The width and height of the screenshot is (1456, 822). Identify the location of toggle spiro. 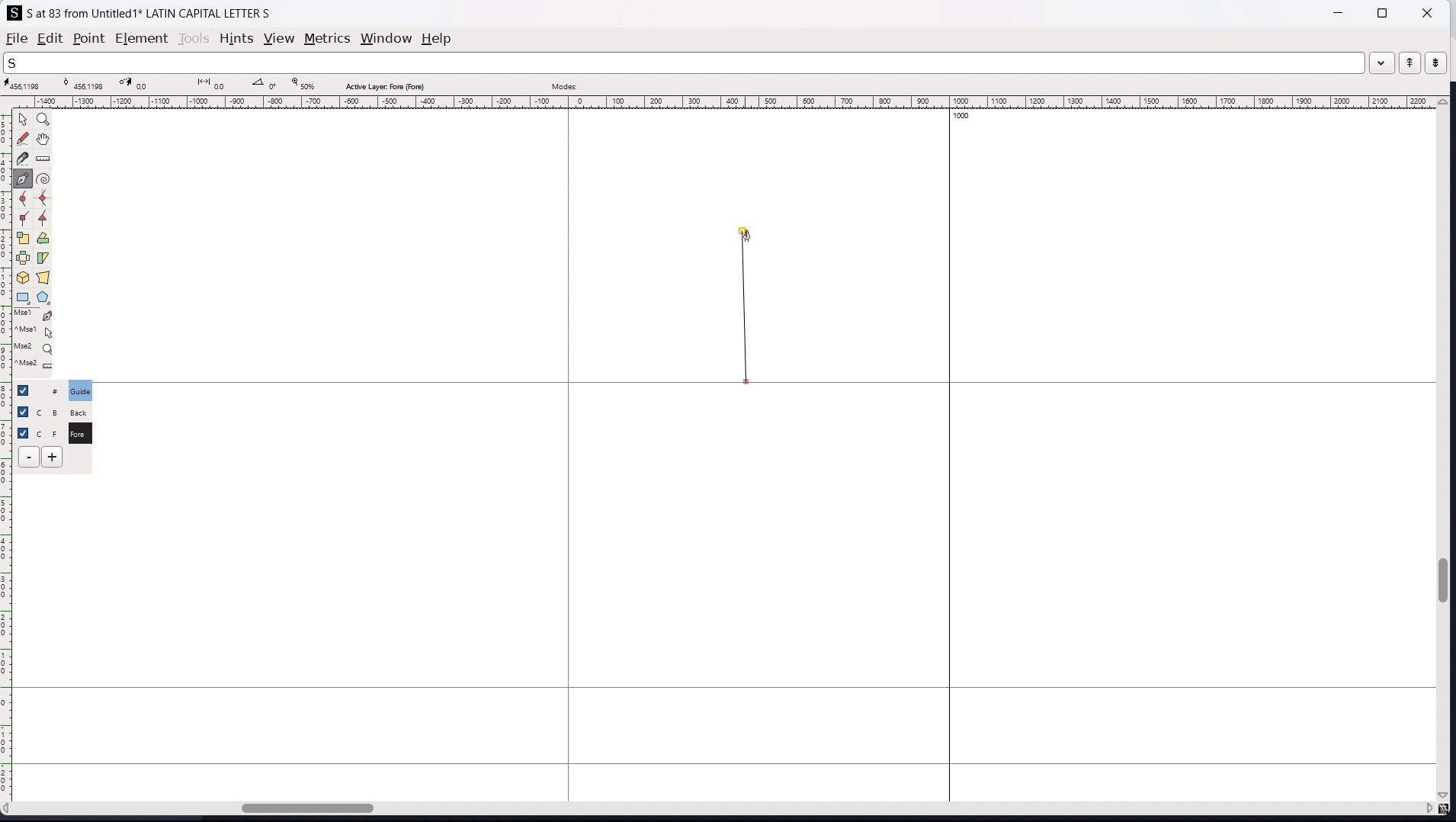
(43, 178).